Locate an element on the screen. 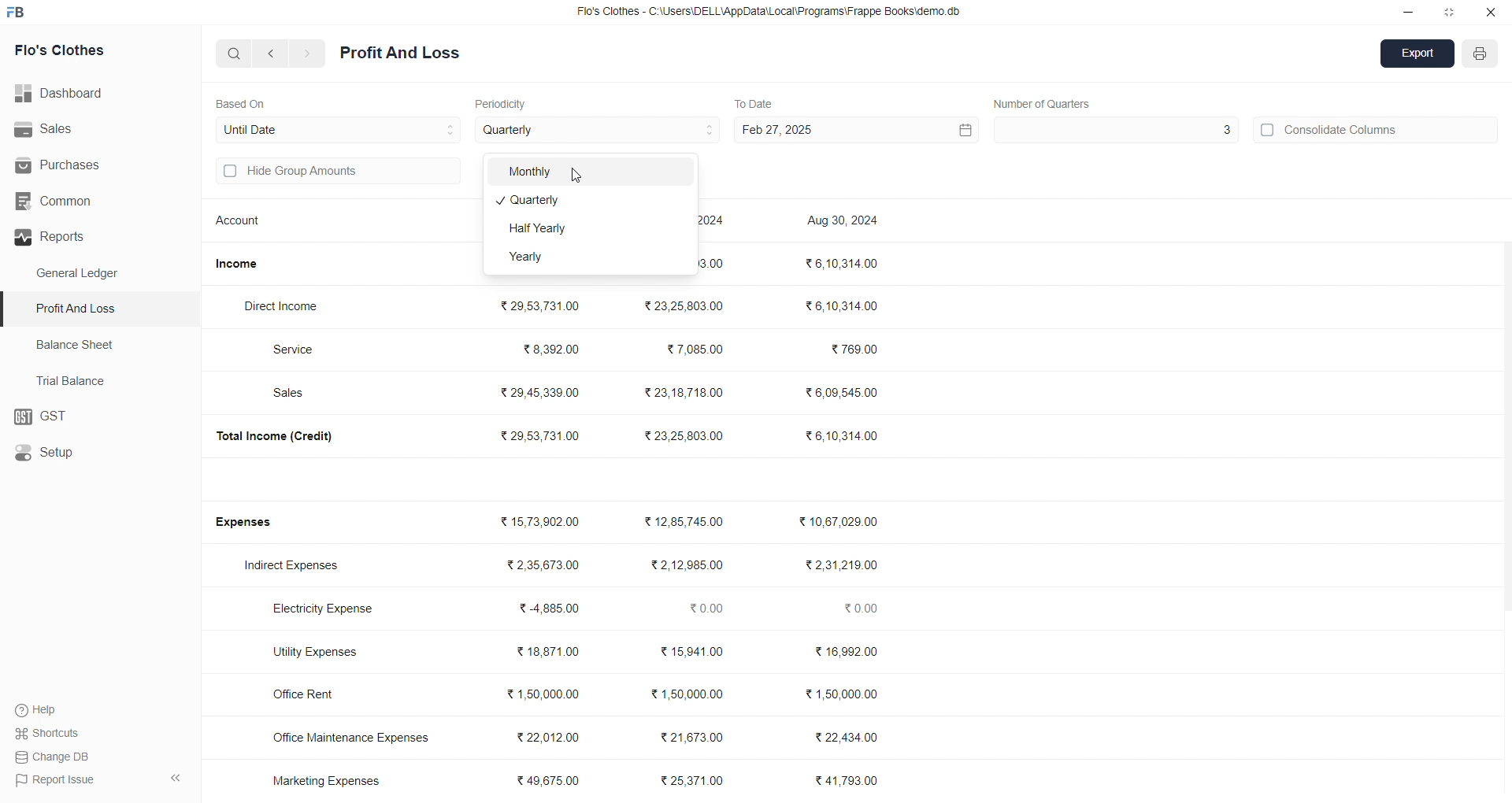  Consolidate Columns is located at coordinates (1377, 128).